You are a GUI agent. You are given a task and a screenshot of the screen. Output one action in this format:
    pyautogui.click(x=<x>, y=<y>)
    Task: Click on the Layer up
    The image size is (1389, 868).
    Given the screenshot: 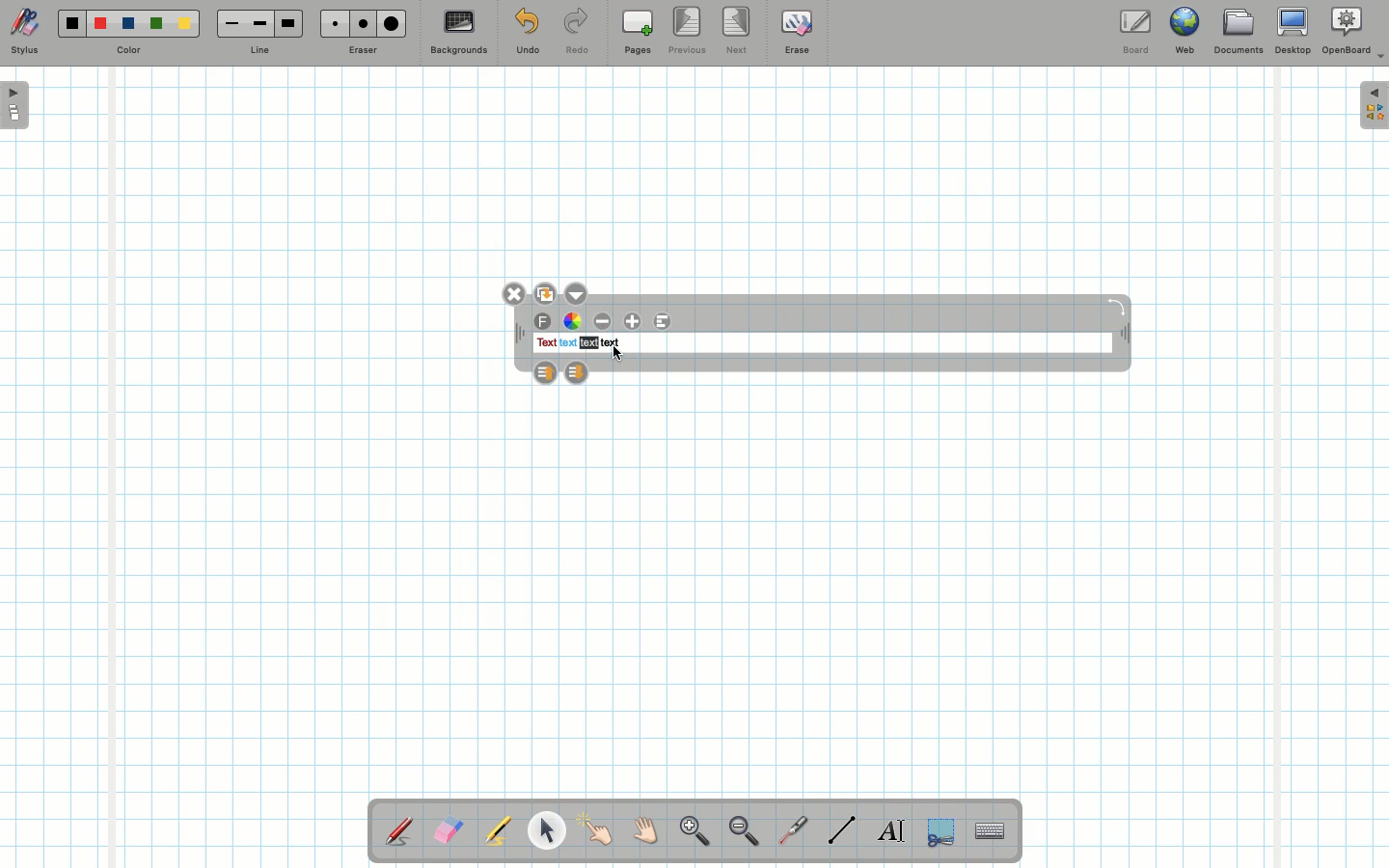 What is the action you would take?
    pyautogui.click(x=543, y=371)
    